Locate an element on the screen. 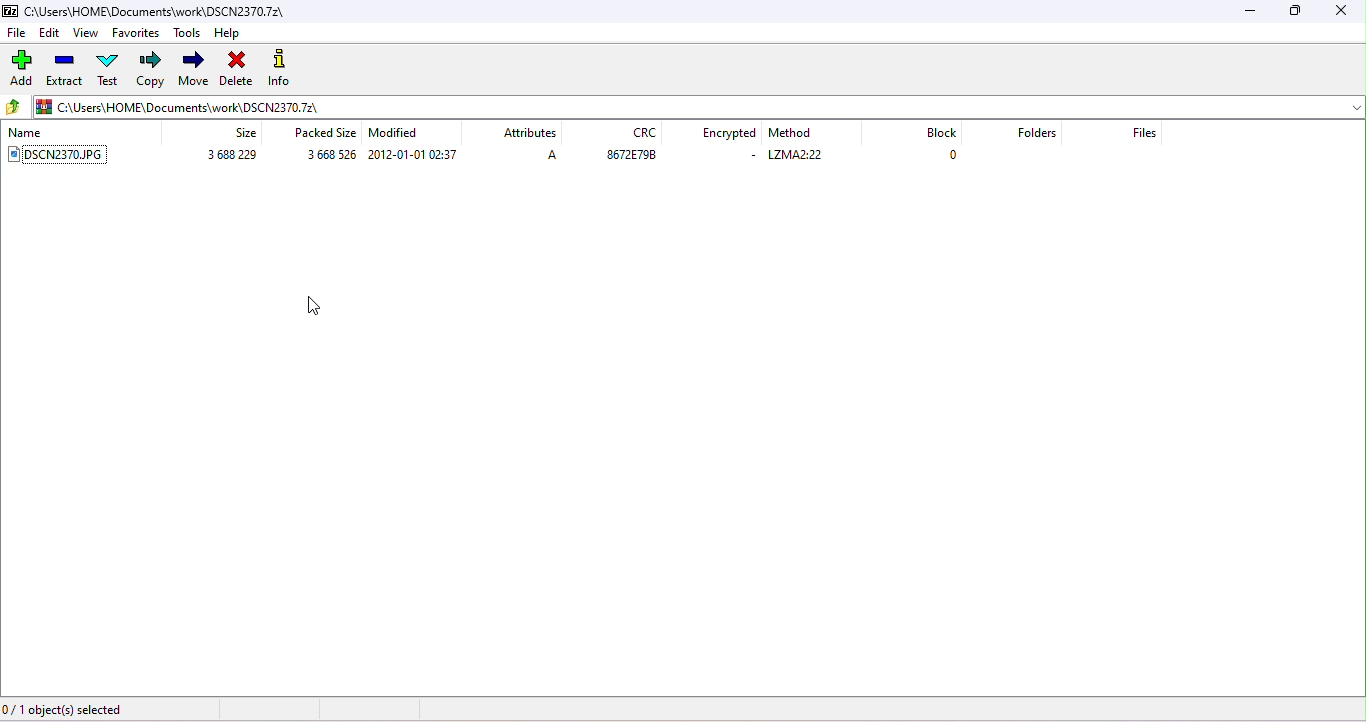 The image size is (1366, 722). help is located at coordinates (231, 36).